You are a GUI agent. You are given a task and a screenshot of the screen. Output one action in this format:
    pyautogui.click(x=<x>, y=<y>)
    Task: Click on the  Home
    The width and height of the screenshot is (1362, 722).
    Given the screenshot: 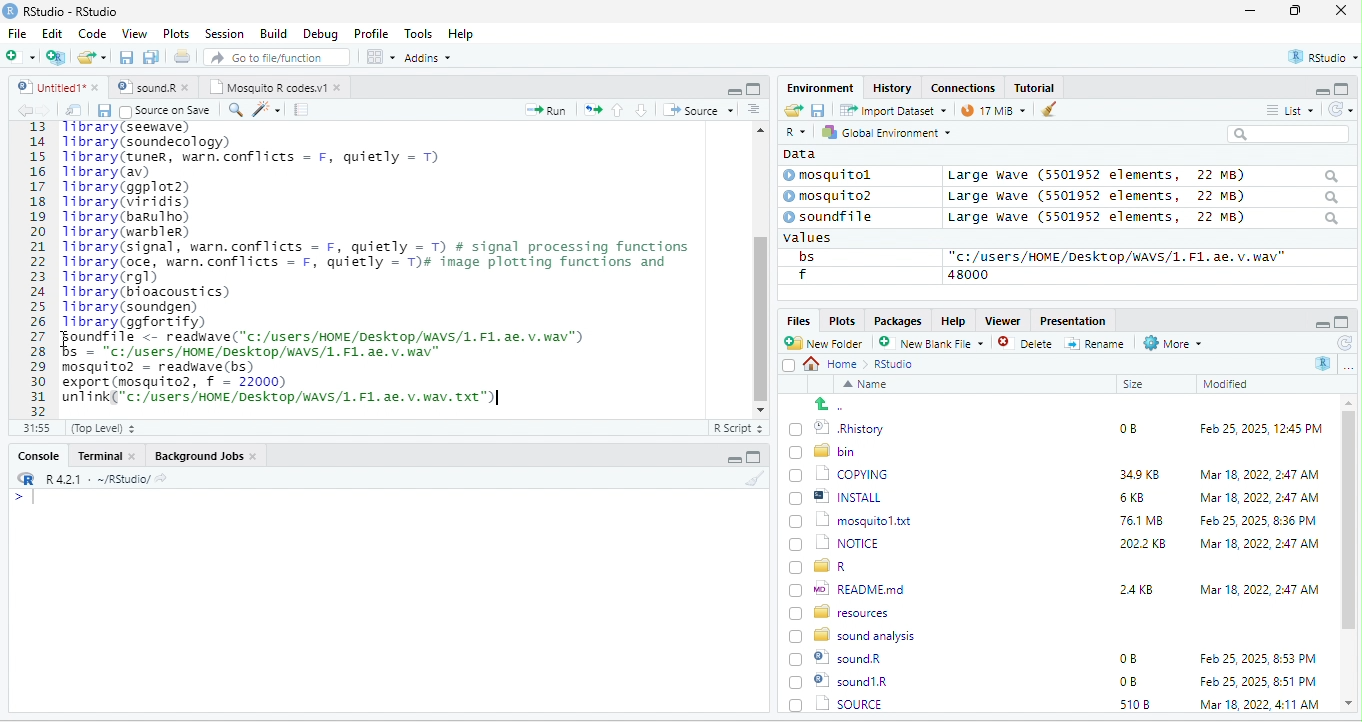 What is the action you would take?
    pyautogui.click(x=836, y=363)
    